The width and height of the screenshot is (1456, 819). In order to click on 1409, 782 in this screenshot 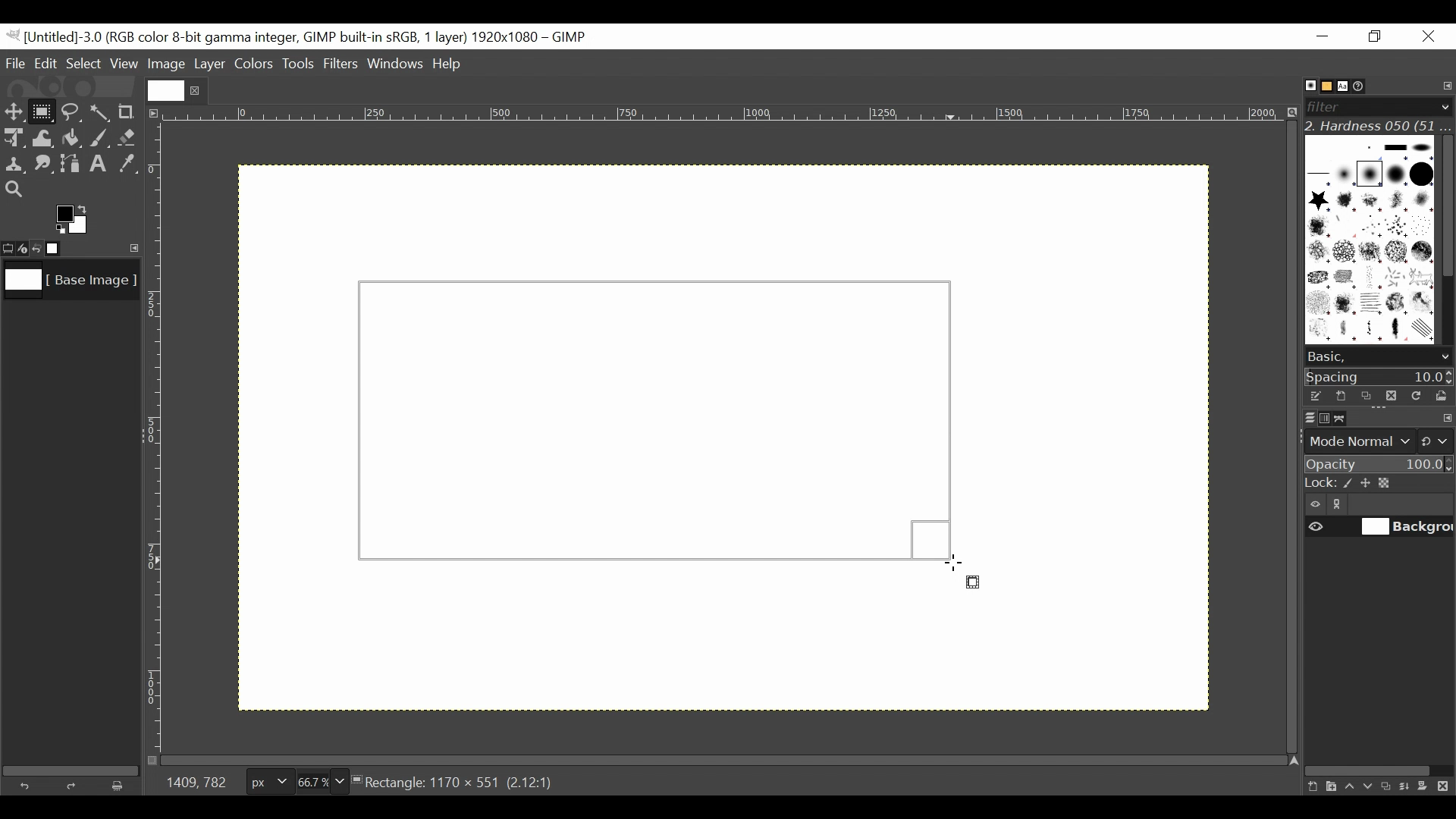, I will do `click(193, 783)`.